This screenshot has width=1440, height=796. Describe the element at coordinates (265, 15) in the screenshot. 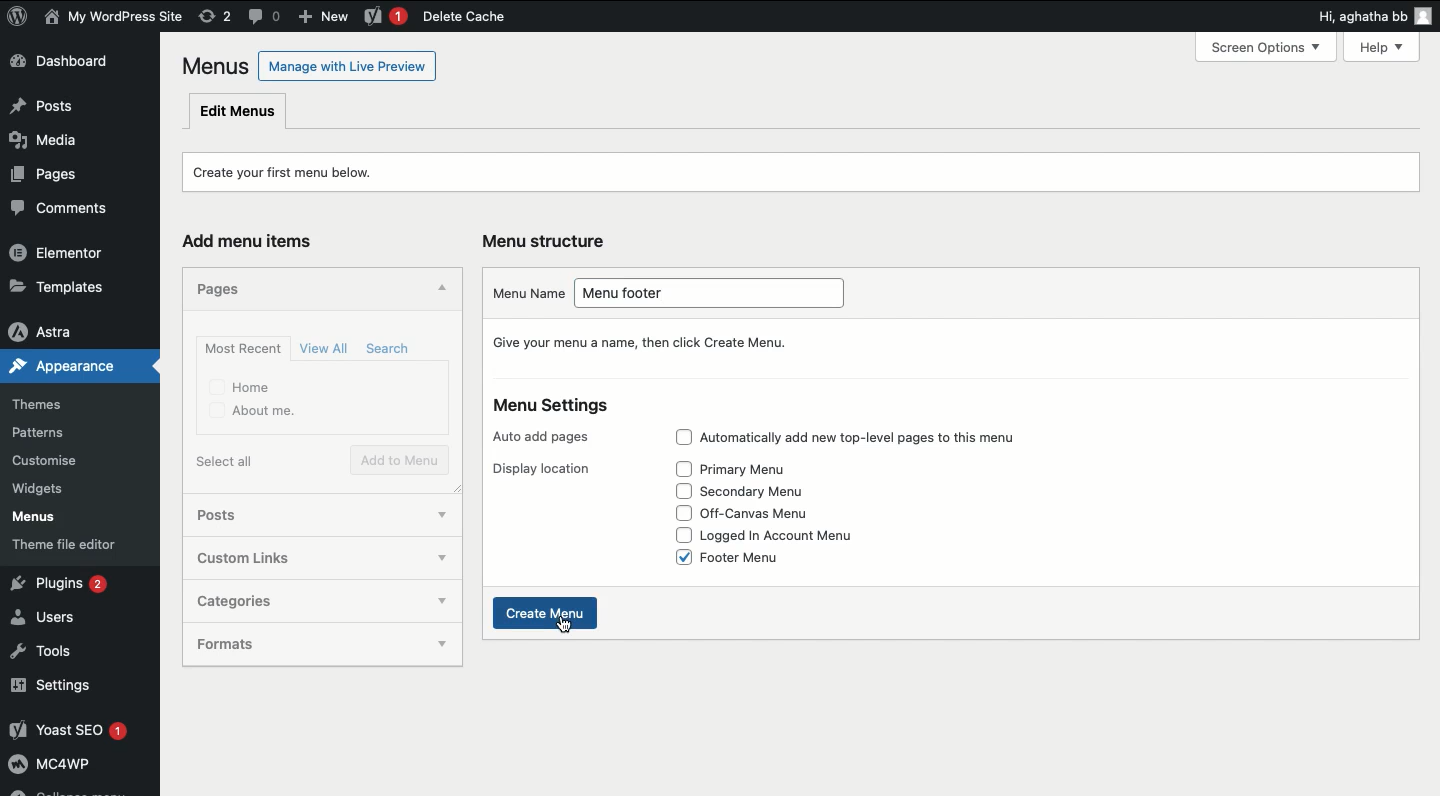

I see `Comment` at that location.